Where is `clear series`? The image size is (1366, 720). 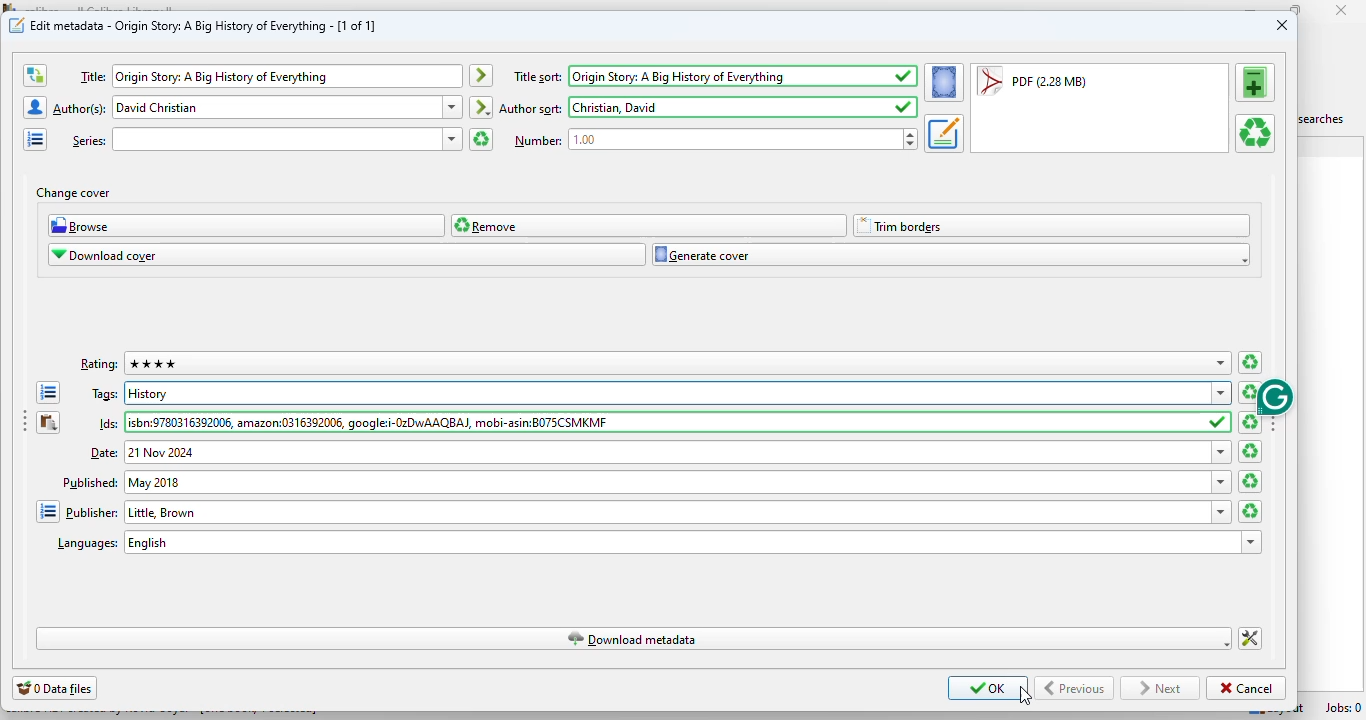 clear series is located at coordinates (481, 139).